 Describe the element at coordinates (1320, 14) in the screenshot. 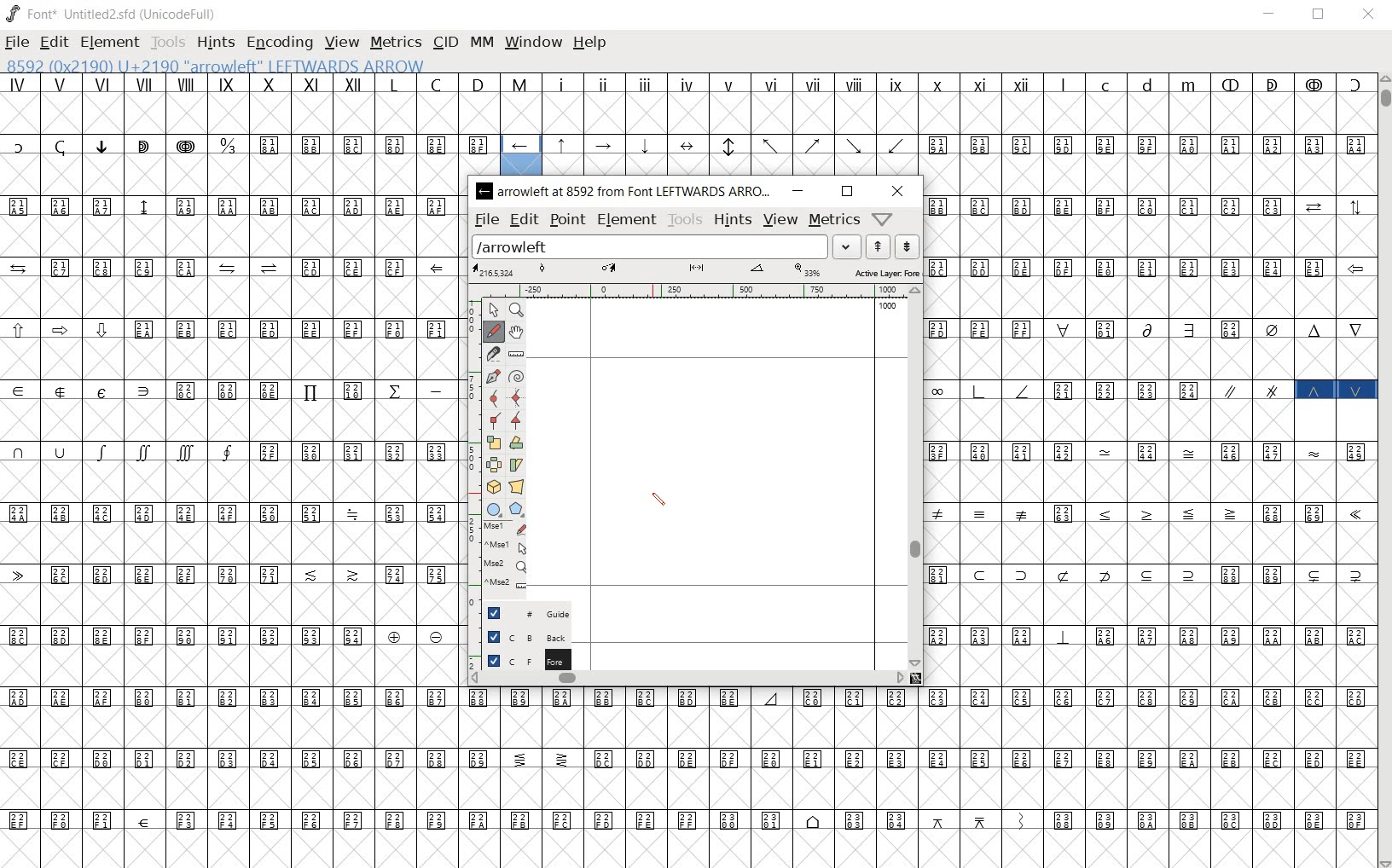

I see `restore` at that location.